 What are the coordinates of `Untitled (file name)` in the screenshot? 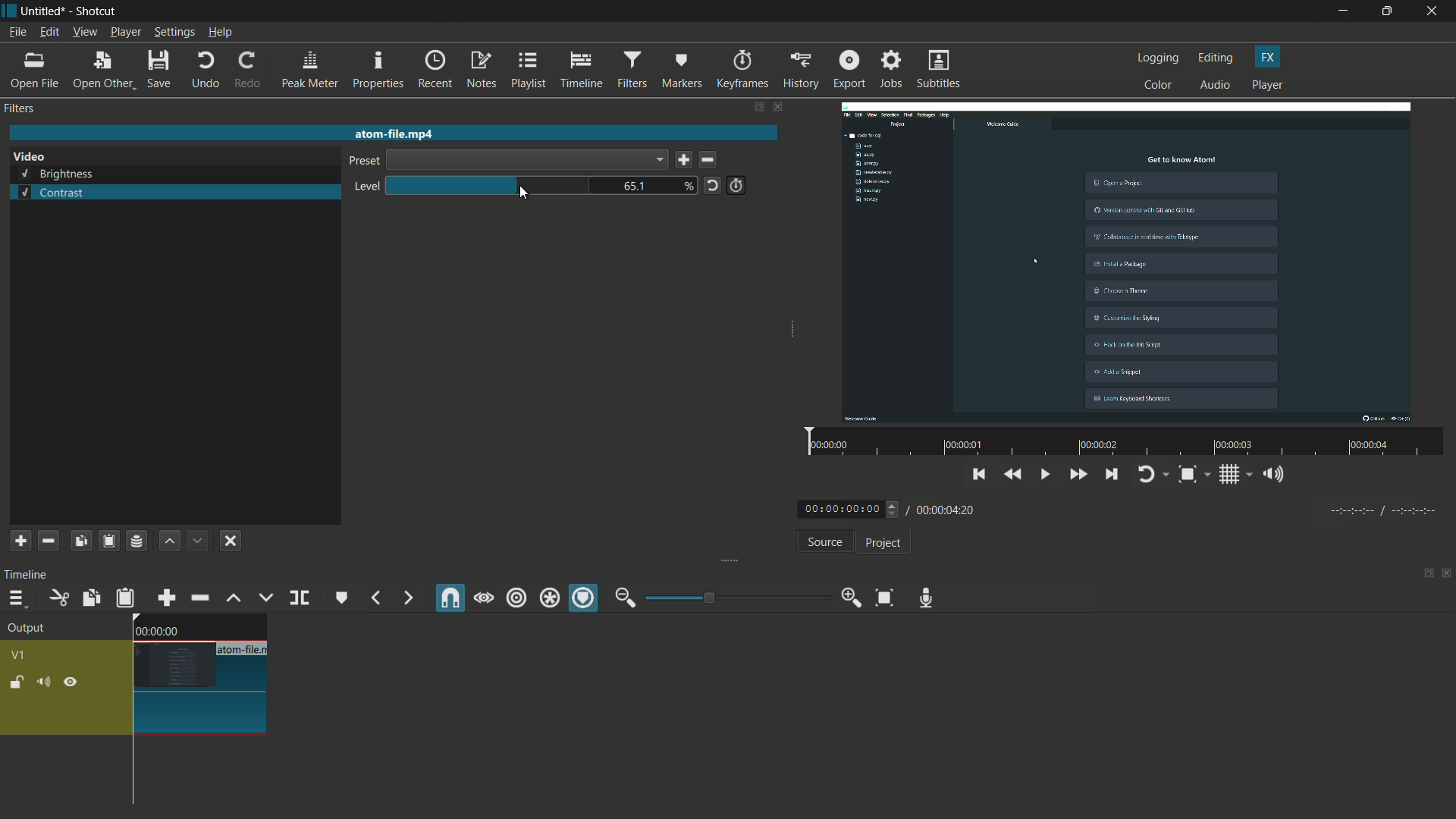 It's located at (46, 11).